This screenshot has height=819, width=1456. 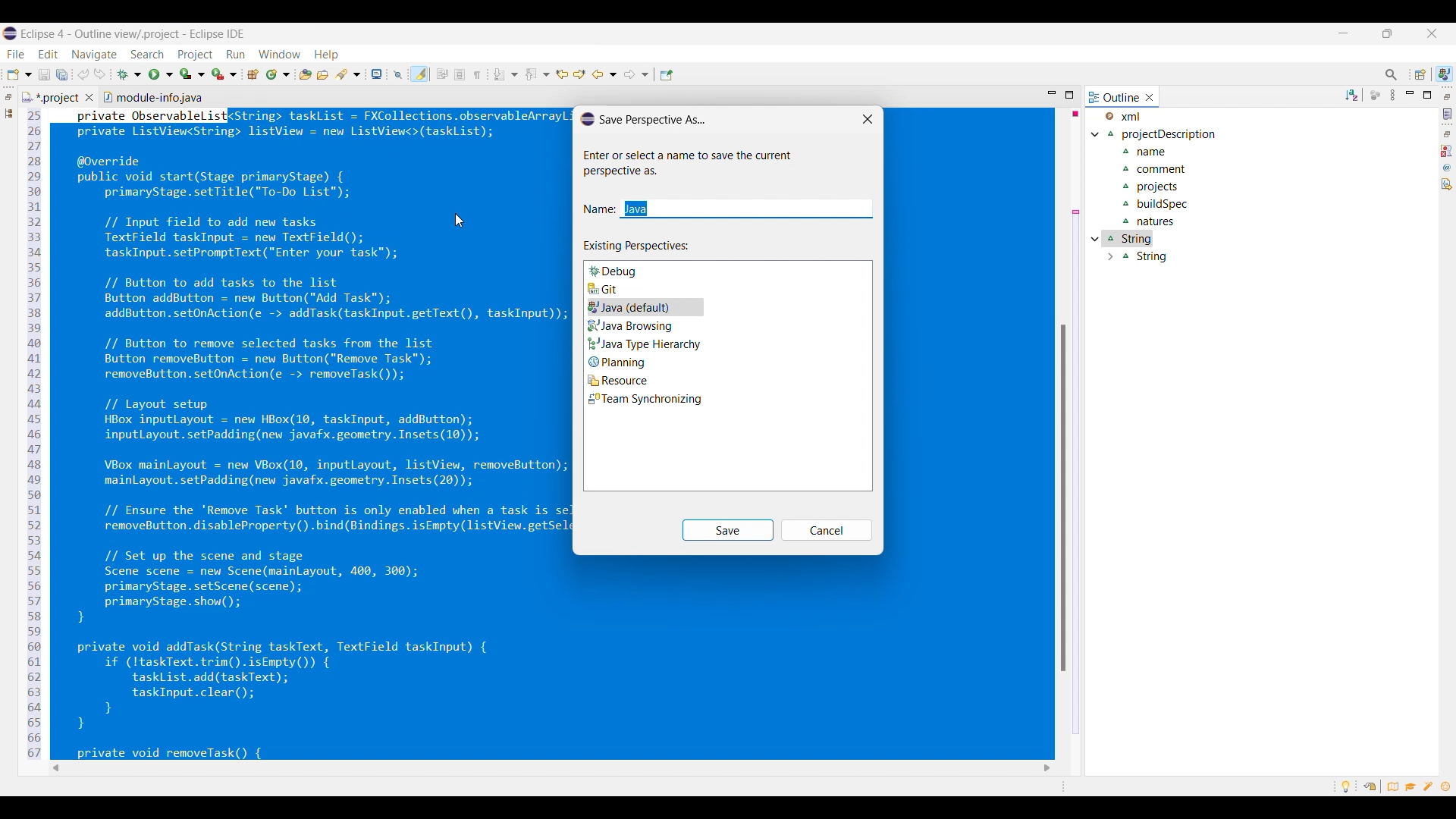 What do you see at coordinates (644, 336) in the screenshot?
I see `Options to choose from` at bounding box center [644, 336].